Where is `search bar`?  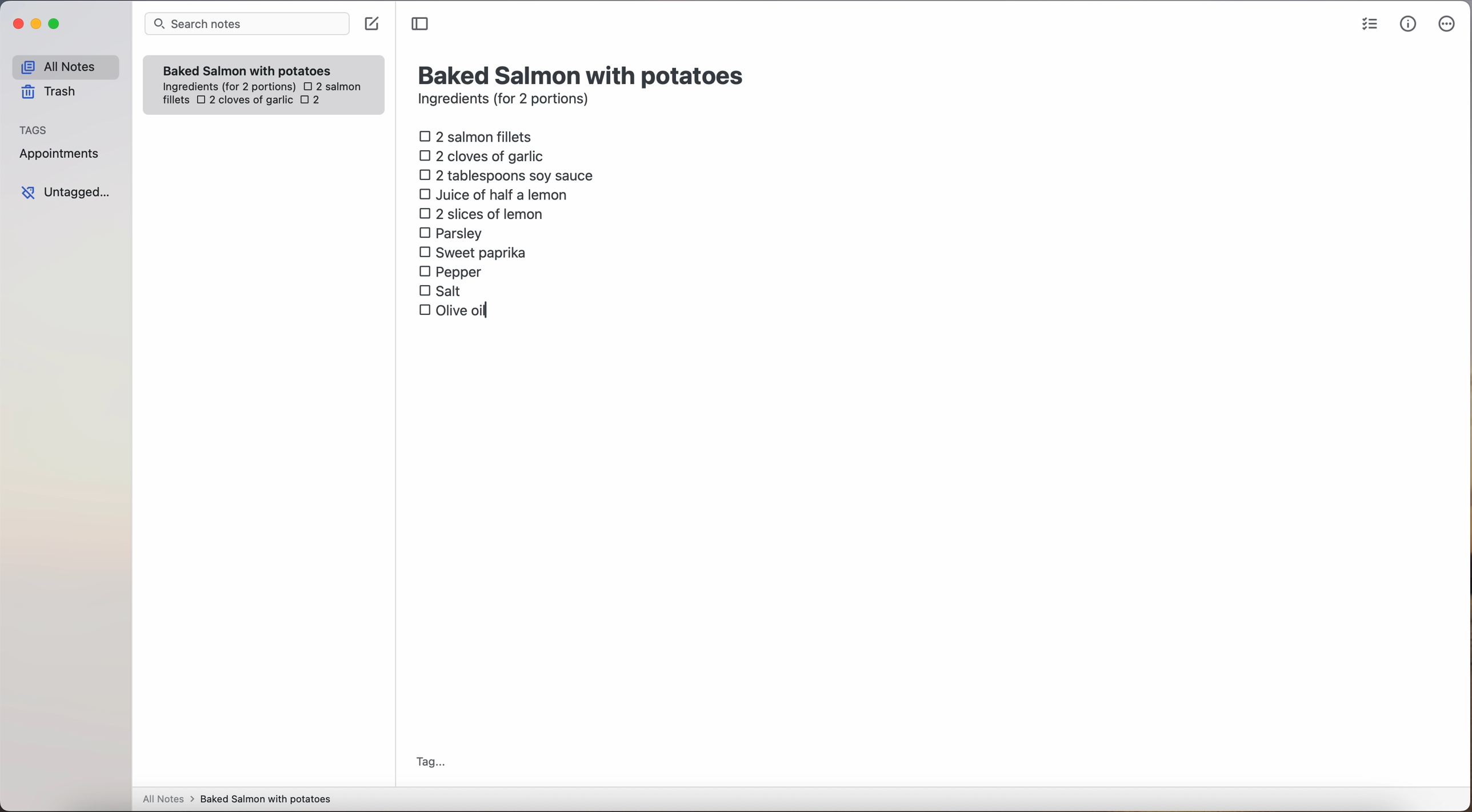 search bar is located at coordinates (246, 25).